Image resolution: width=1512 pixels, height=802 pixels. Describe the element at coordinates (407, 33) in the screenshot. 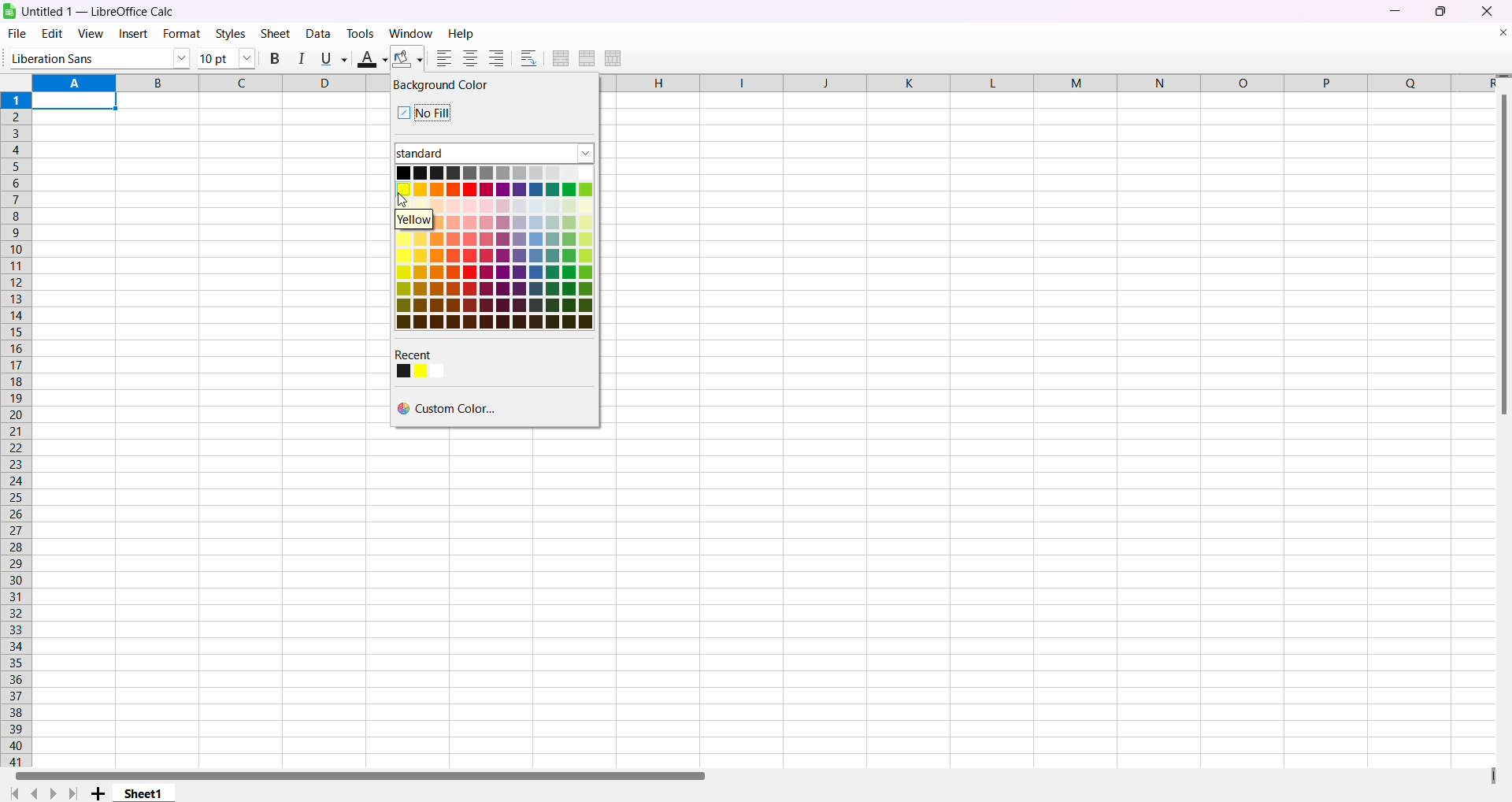

I see `window` at that location.